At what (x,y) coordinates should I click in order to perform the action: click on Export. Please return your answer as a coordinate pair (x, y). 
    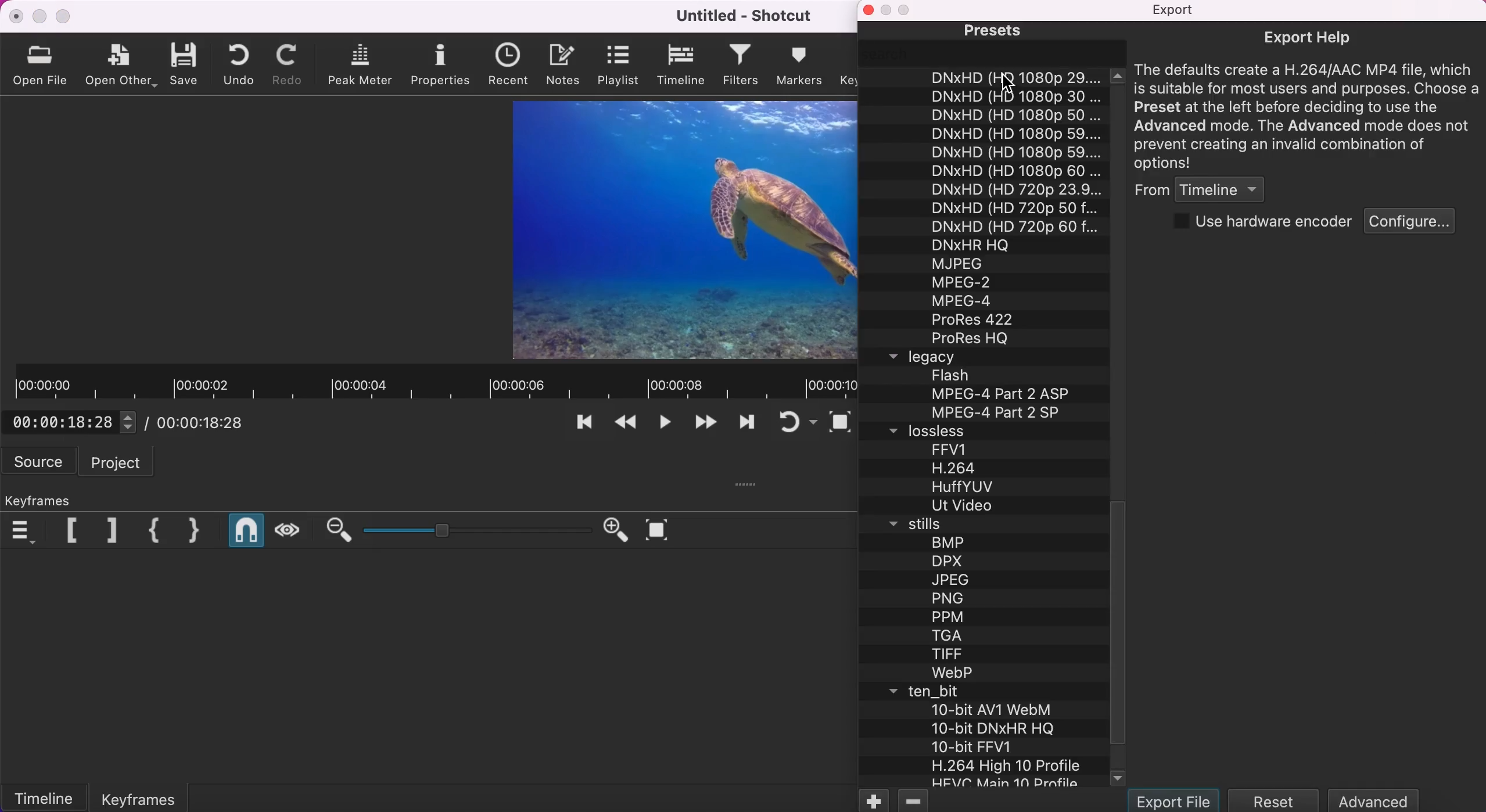
    Looking at the image, I should click on (1174, 10).